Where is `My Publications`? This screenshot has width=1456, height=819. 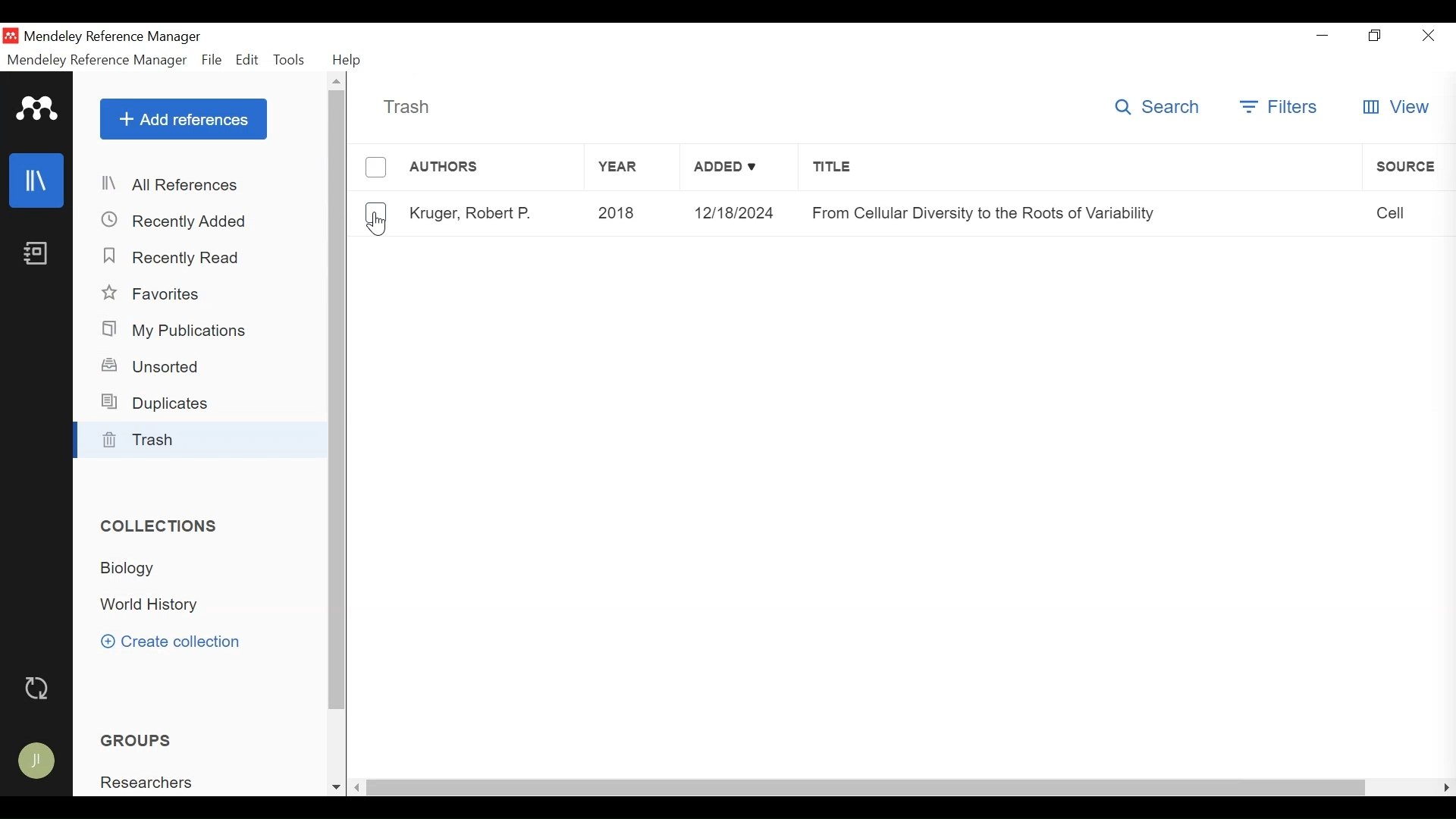
My Publications is located at coordinates (180, 331).